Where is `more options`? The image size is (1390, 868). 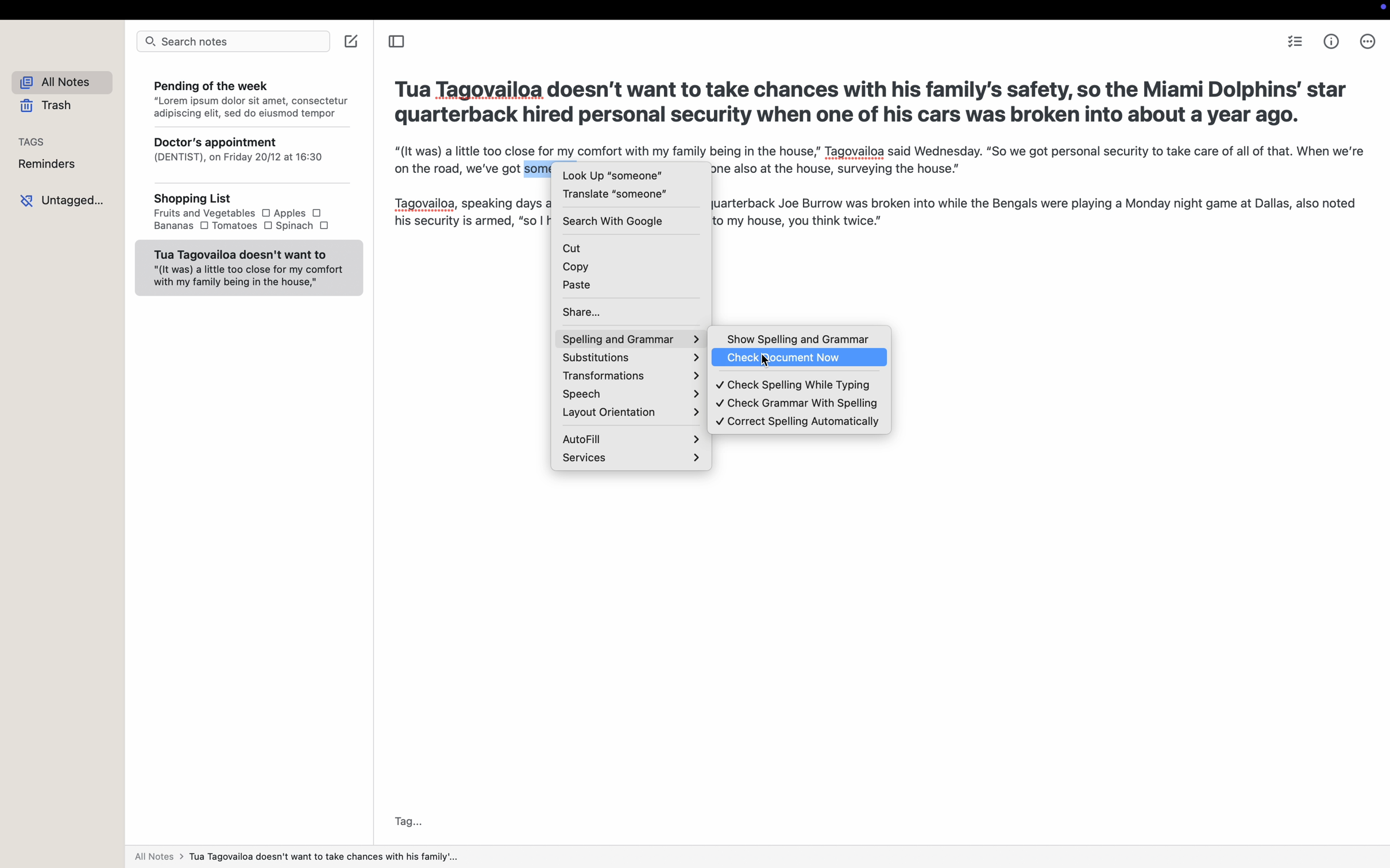 more options is located at coordinates (1366, 41).